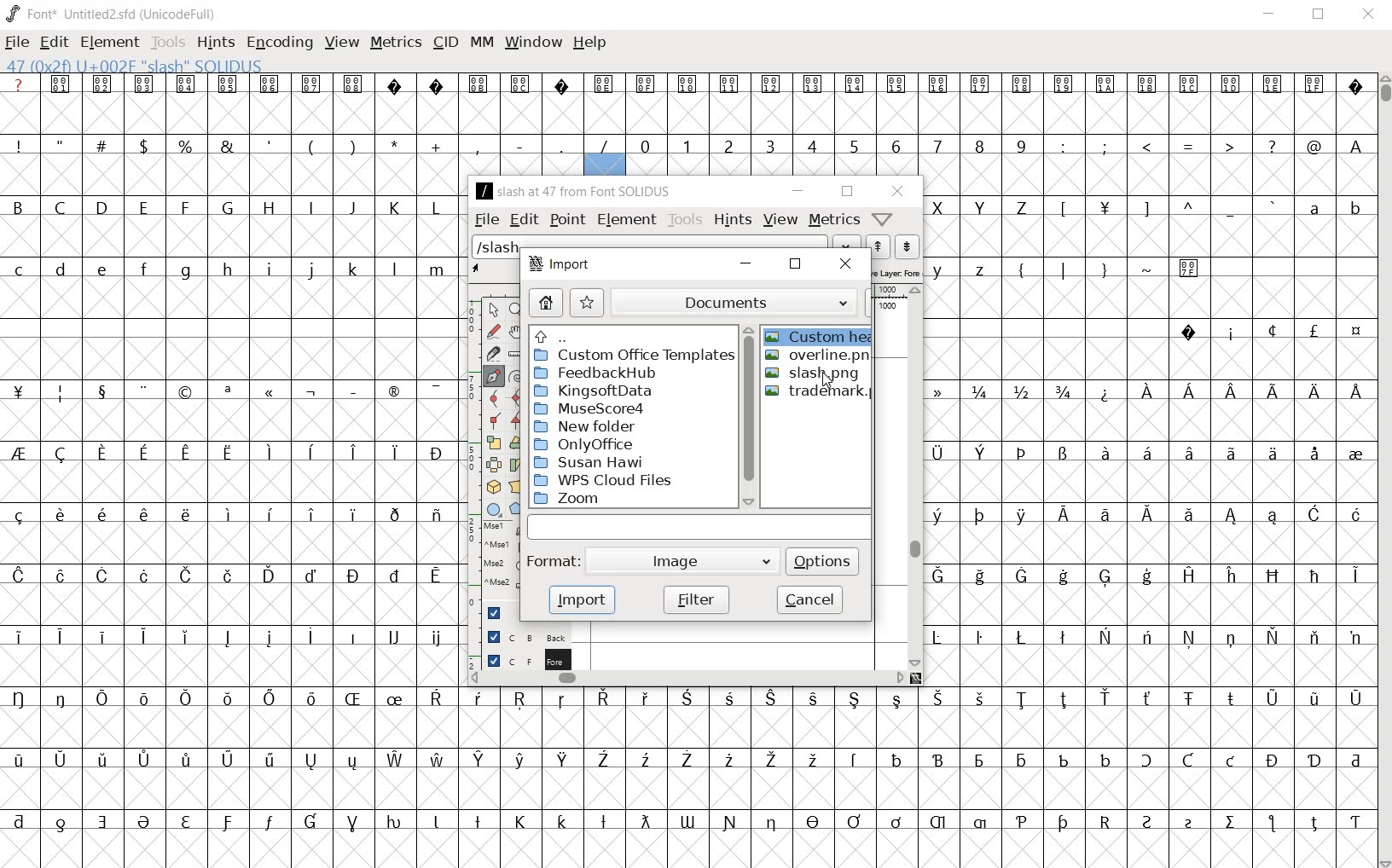 The image size is (1392, 868). I want to click on scrollbar, so click(915, 478).